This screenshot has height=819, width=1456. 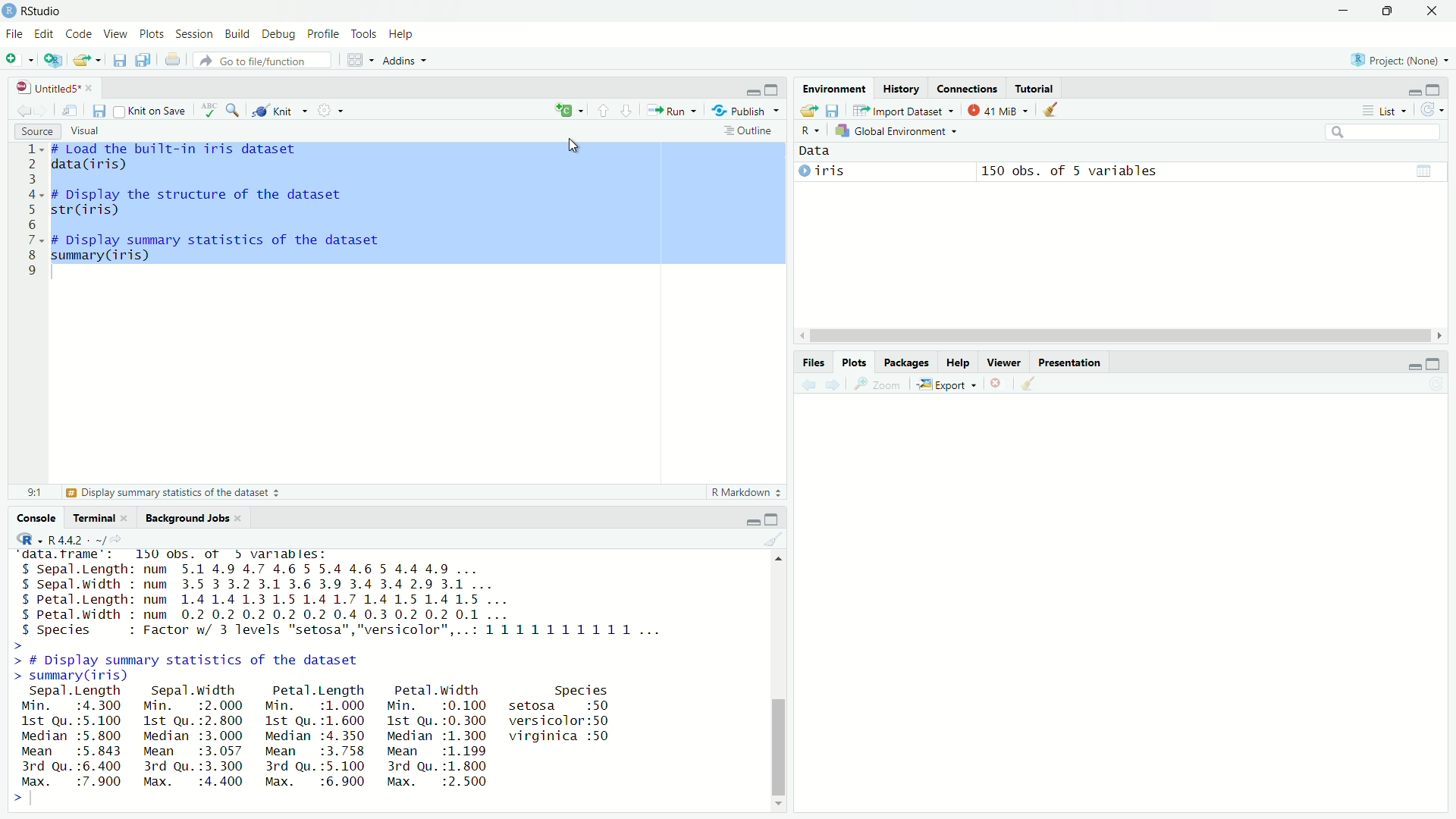 What do you see at coordinates (855, 362) in the screenshot?
I see `Plots` at bounding box center [855, 362].